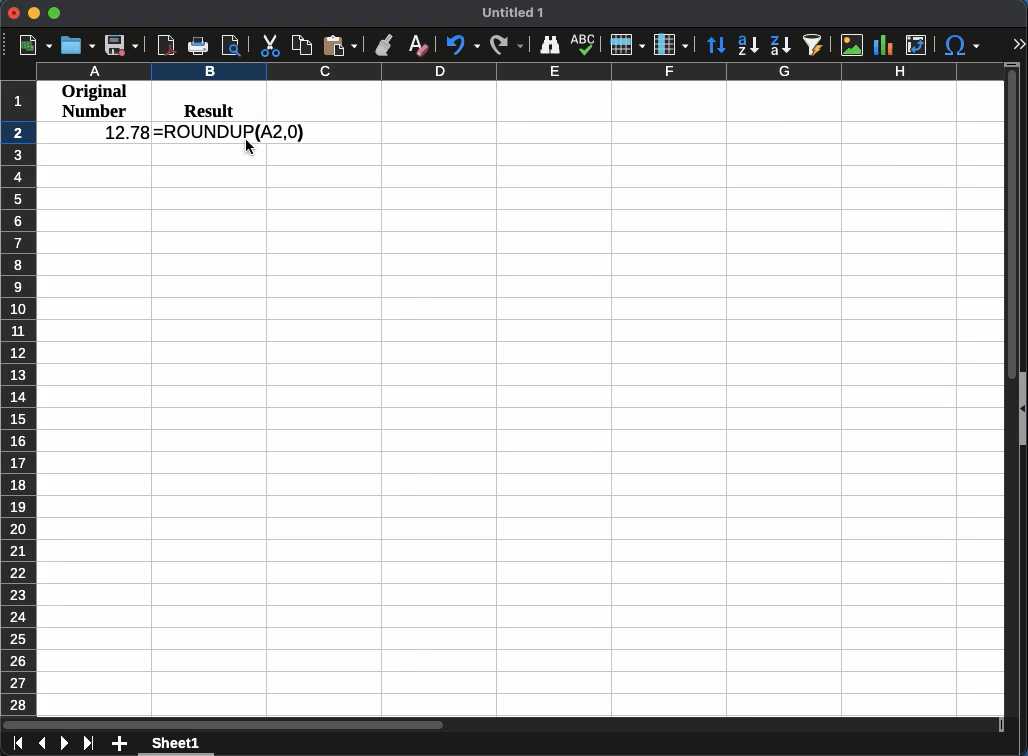  What do you see at coordinates (229, 132) in the screenshot?
I see `=ROUNDUP(A2,0)` at bounding box center [229, 132].